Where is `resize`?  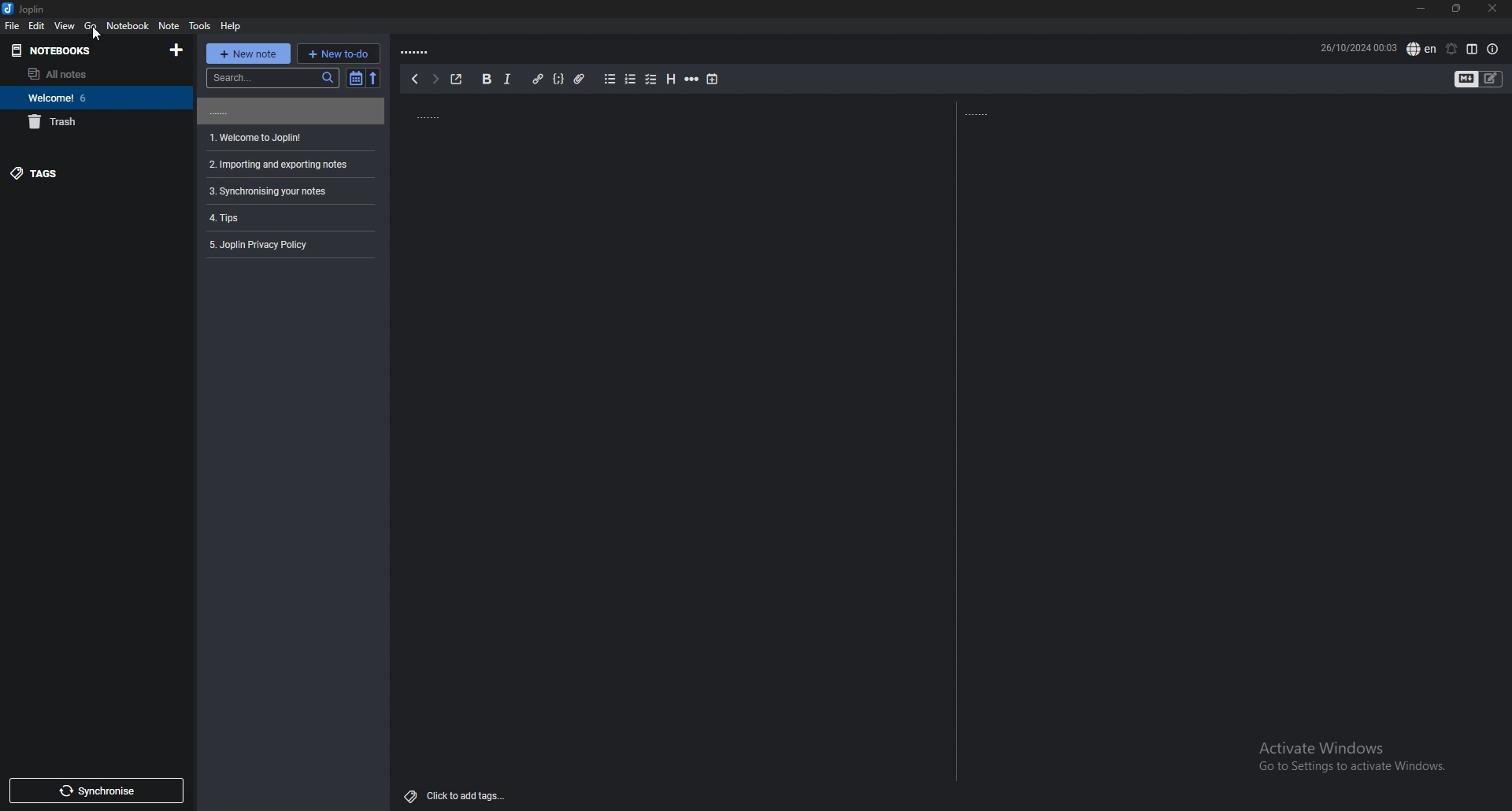
resize is located at coordinates (1460, 9).